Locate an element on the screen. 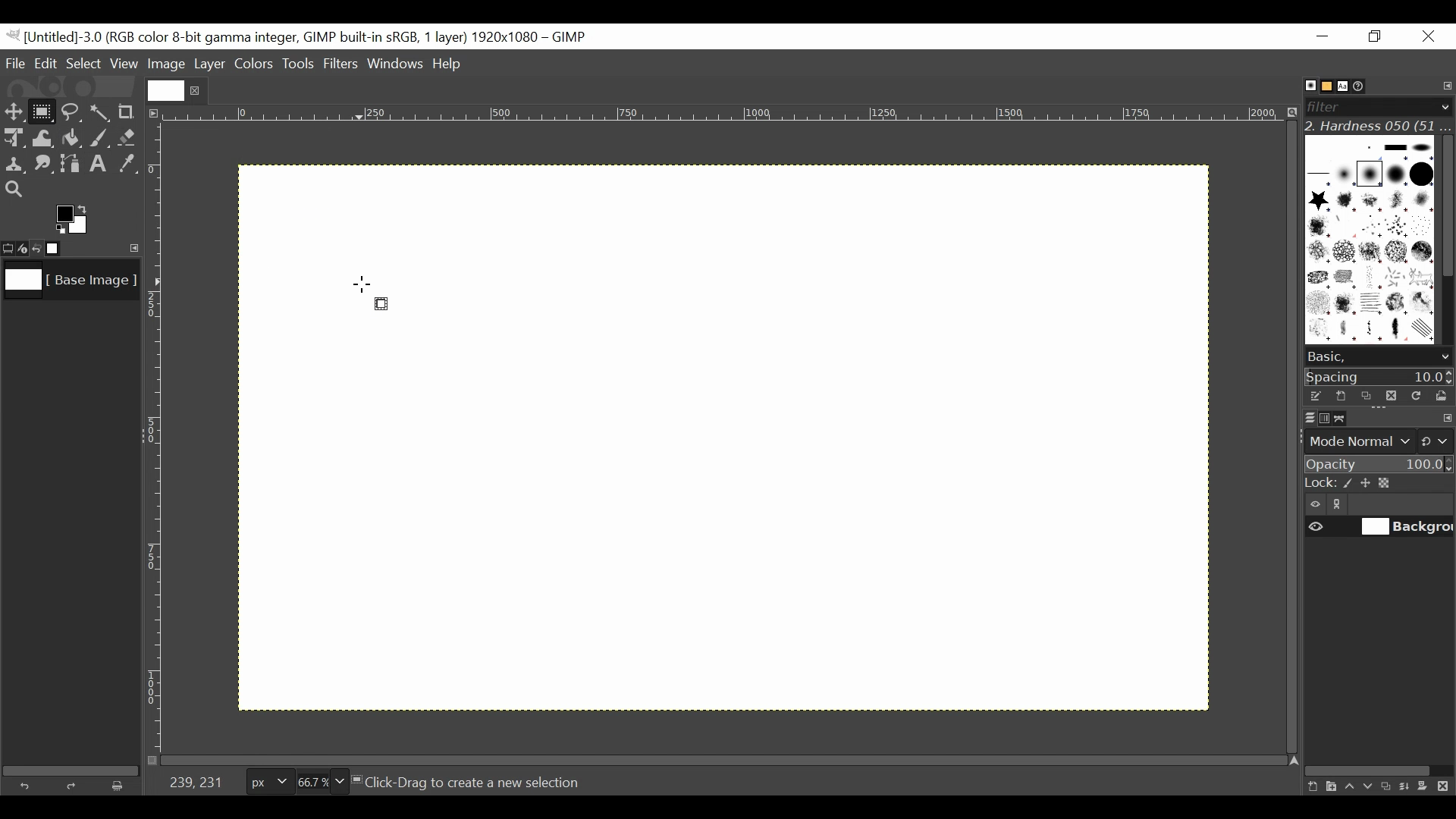 This screenshot has height=819, width=1456. Edit the brush is located at coordinates (1315, 396).